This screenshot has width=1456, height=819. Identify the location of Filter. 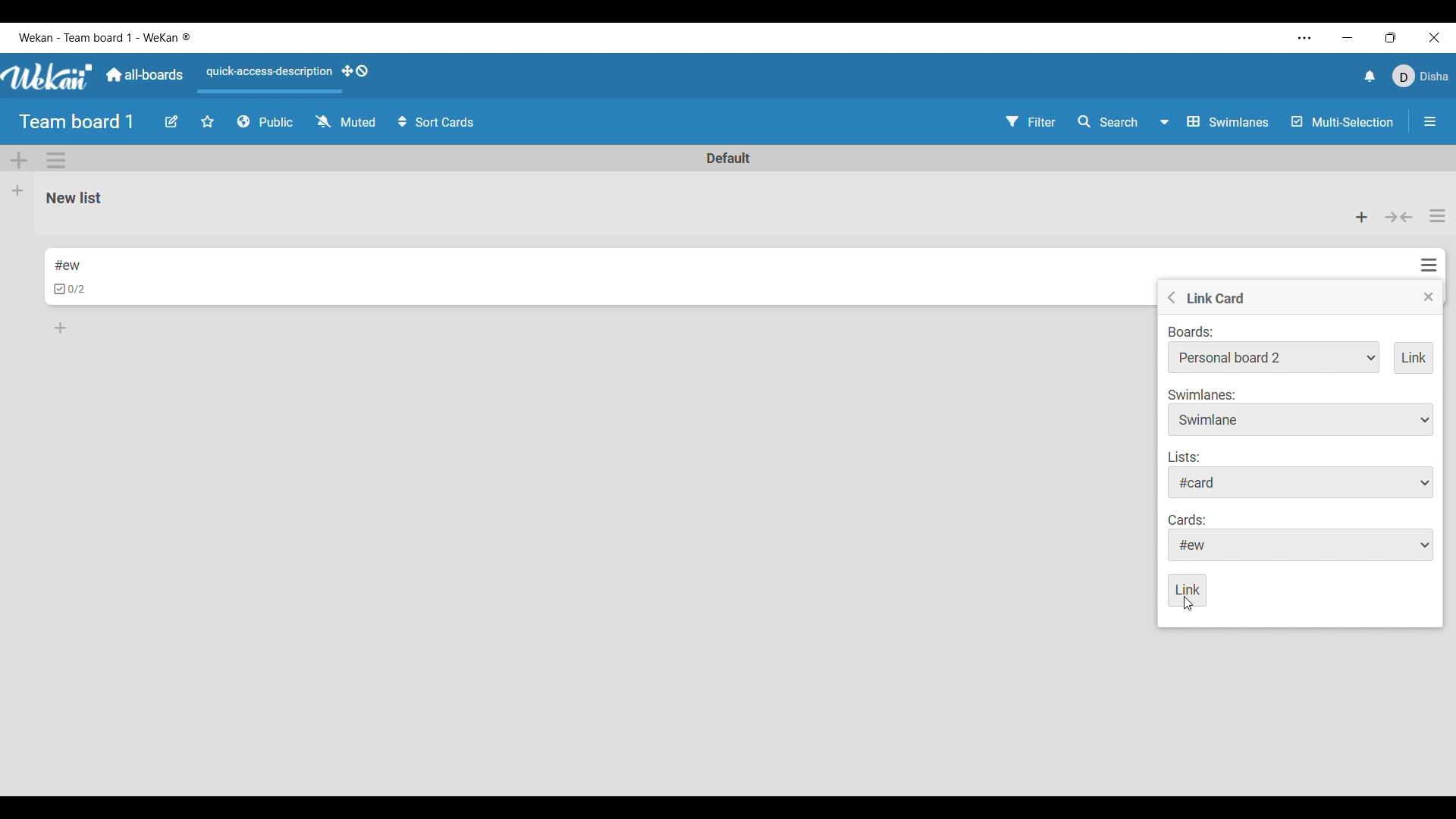
(1031, 121).